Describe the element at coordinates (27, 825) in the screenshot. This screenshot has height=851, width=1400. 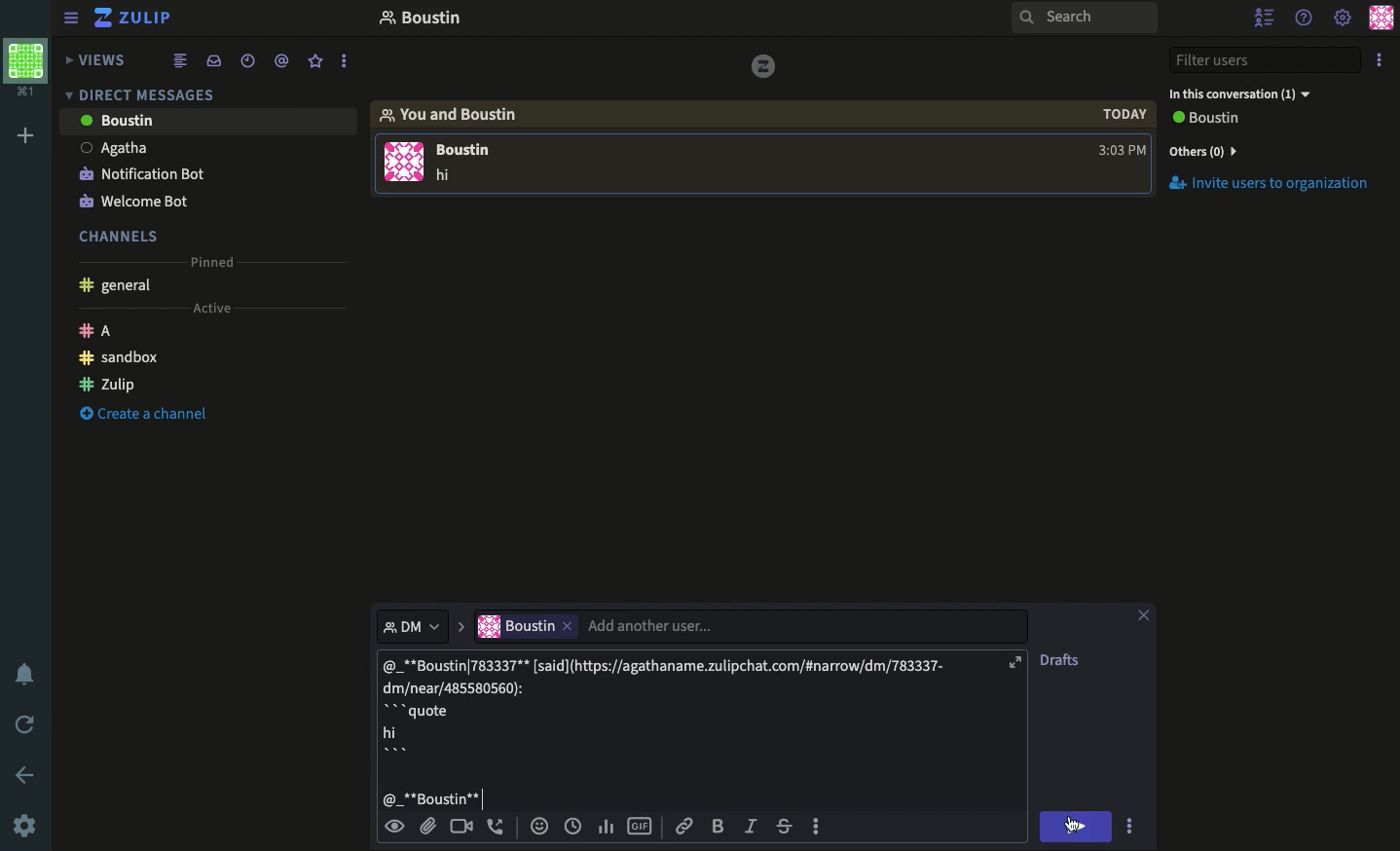
I see `Settings` at that location.